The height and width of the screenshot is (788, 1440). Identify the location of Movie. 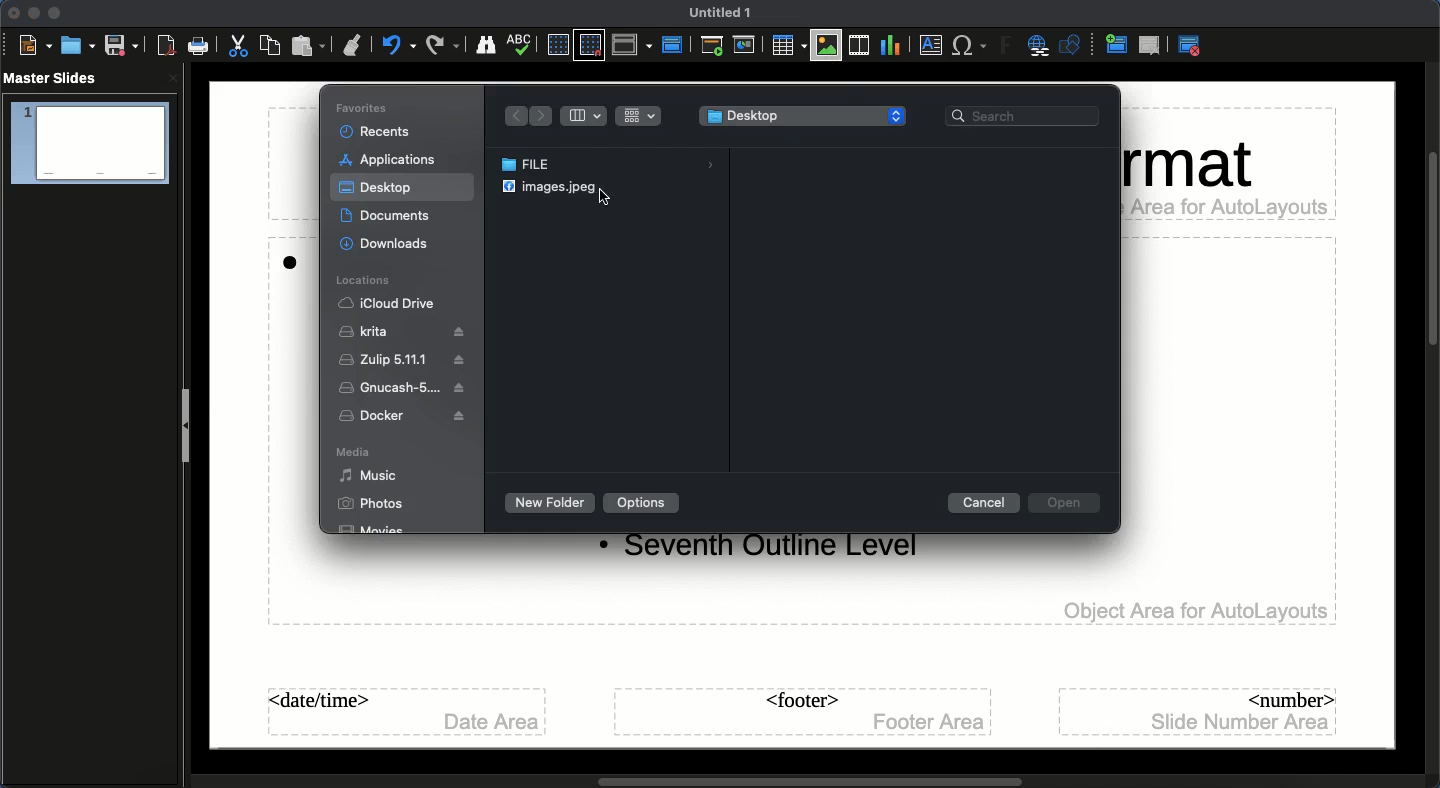
(374, 530).